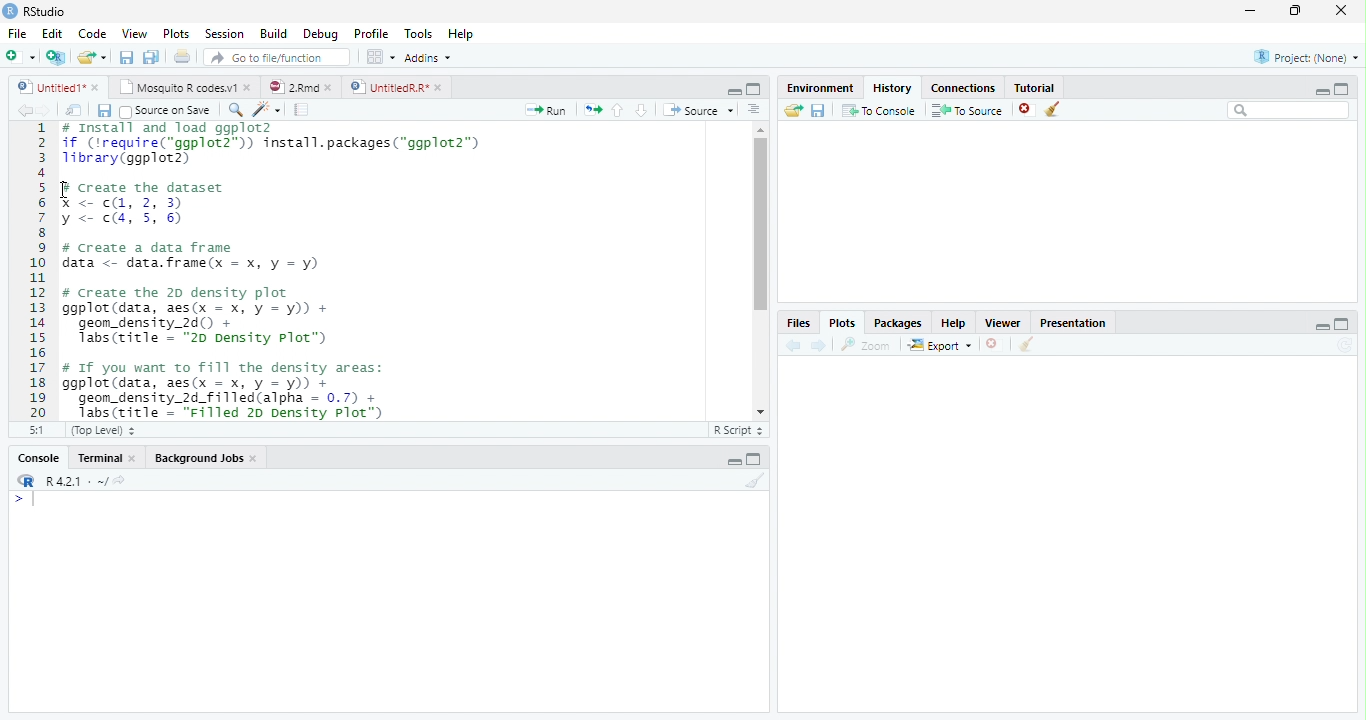 This screenshot has height=720, width=1366. What do you see at coordinates (52, 34) in the screenshot?
I see `Edit` at bounding box center [52, 34].